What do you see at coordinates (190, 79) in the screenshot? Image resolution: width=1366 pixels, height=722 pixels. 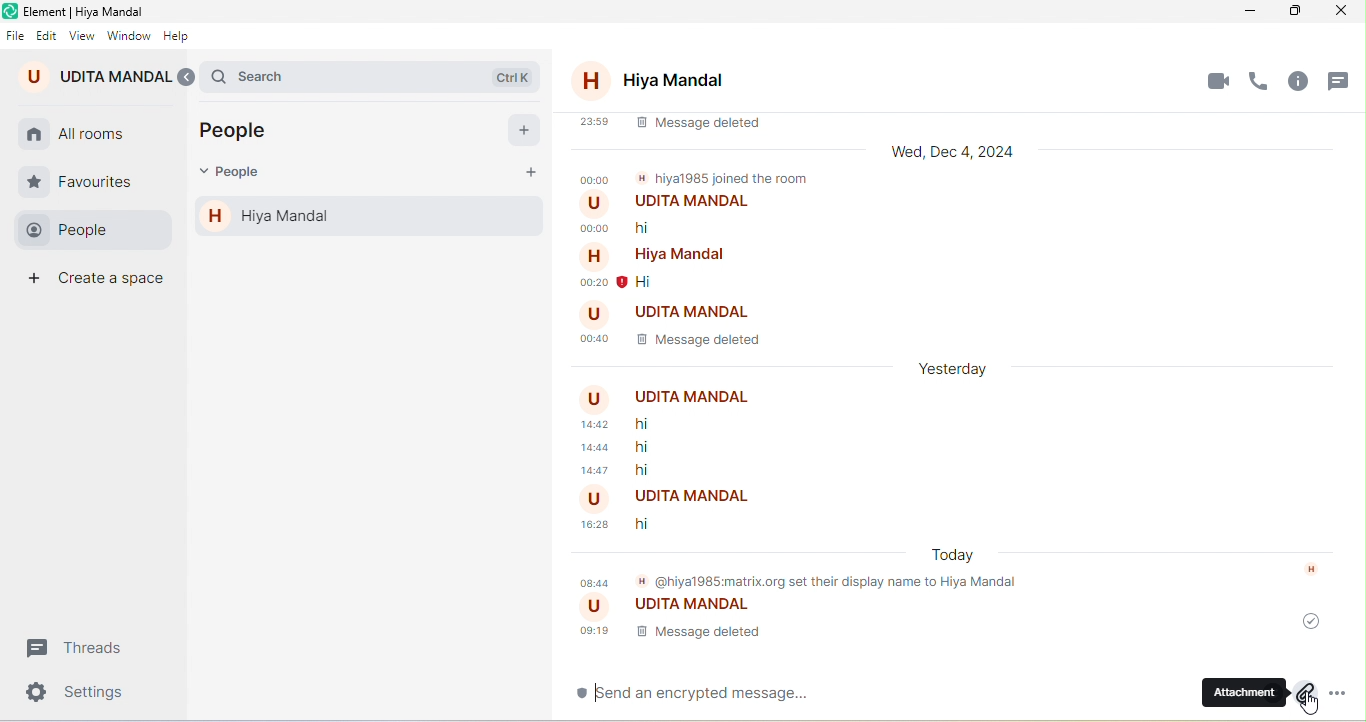 I see `expand` at bounding box center [190, 79].